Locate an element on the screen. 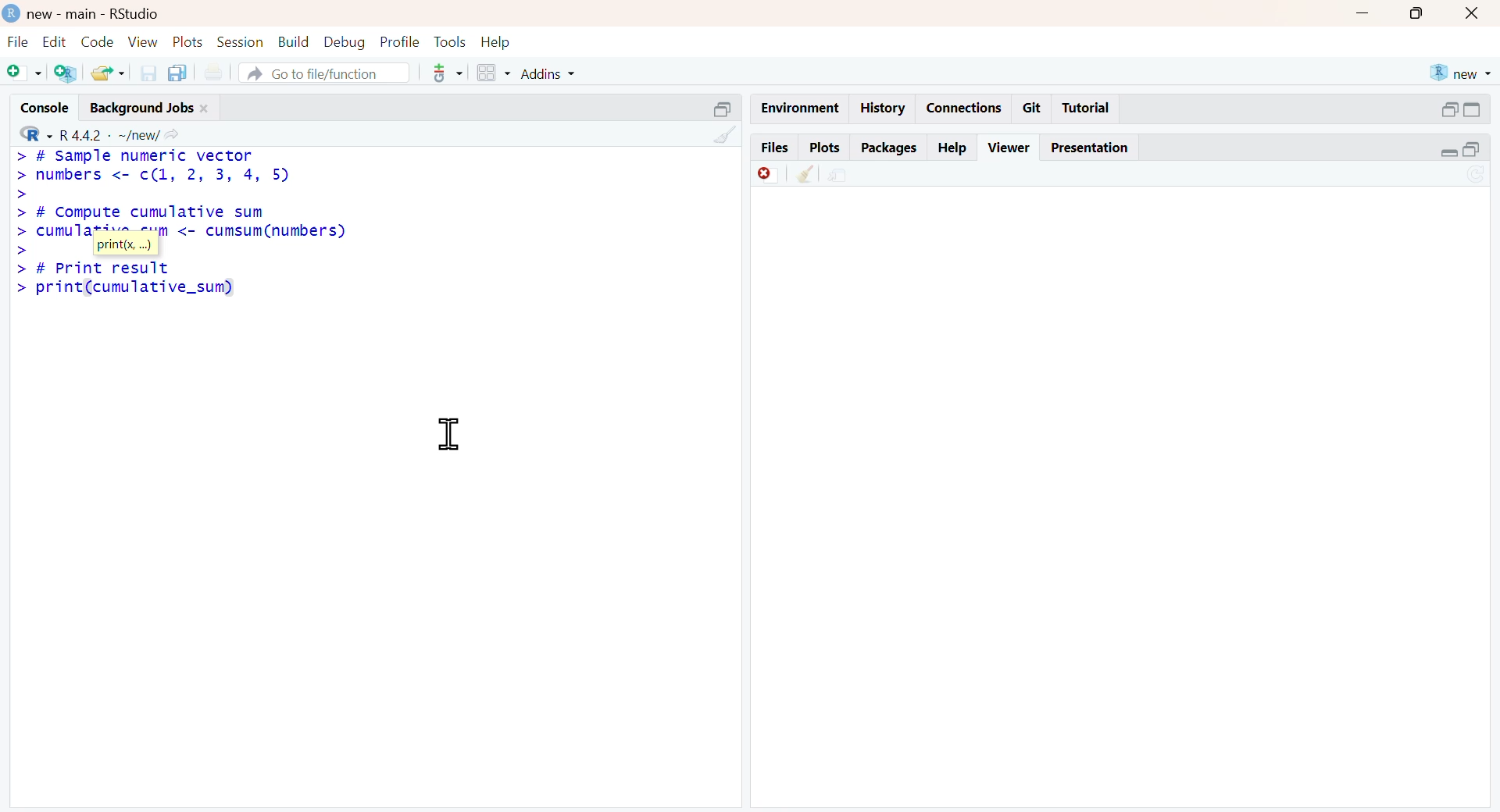 This screenshot has width=1500, height=812. close is located at coordinates (1473, 14).